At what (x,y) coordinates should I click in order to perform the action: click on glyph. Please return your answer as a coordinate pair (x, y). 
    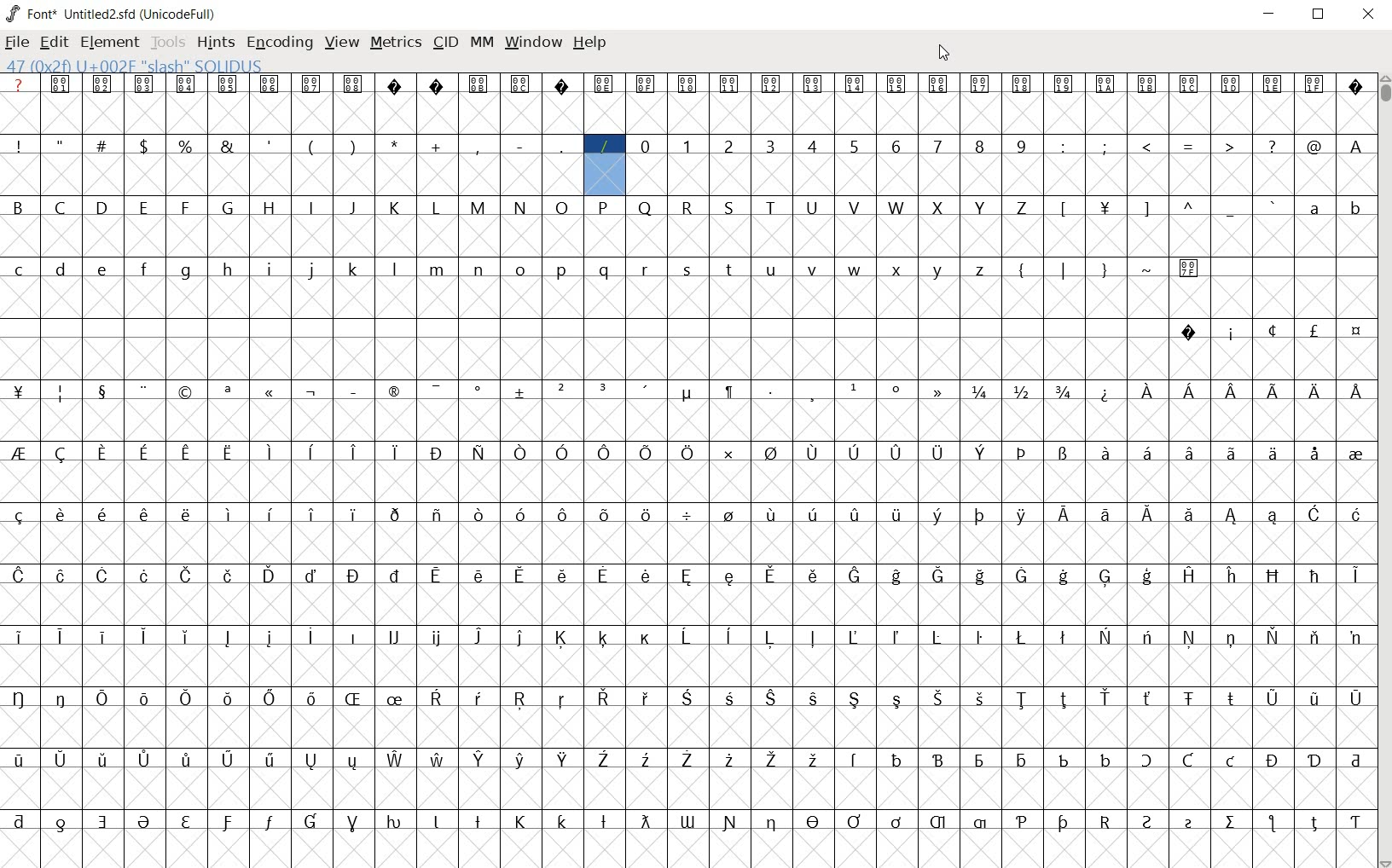
    Looking at the image, I should click on (897, 389).